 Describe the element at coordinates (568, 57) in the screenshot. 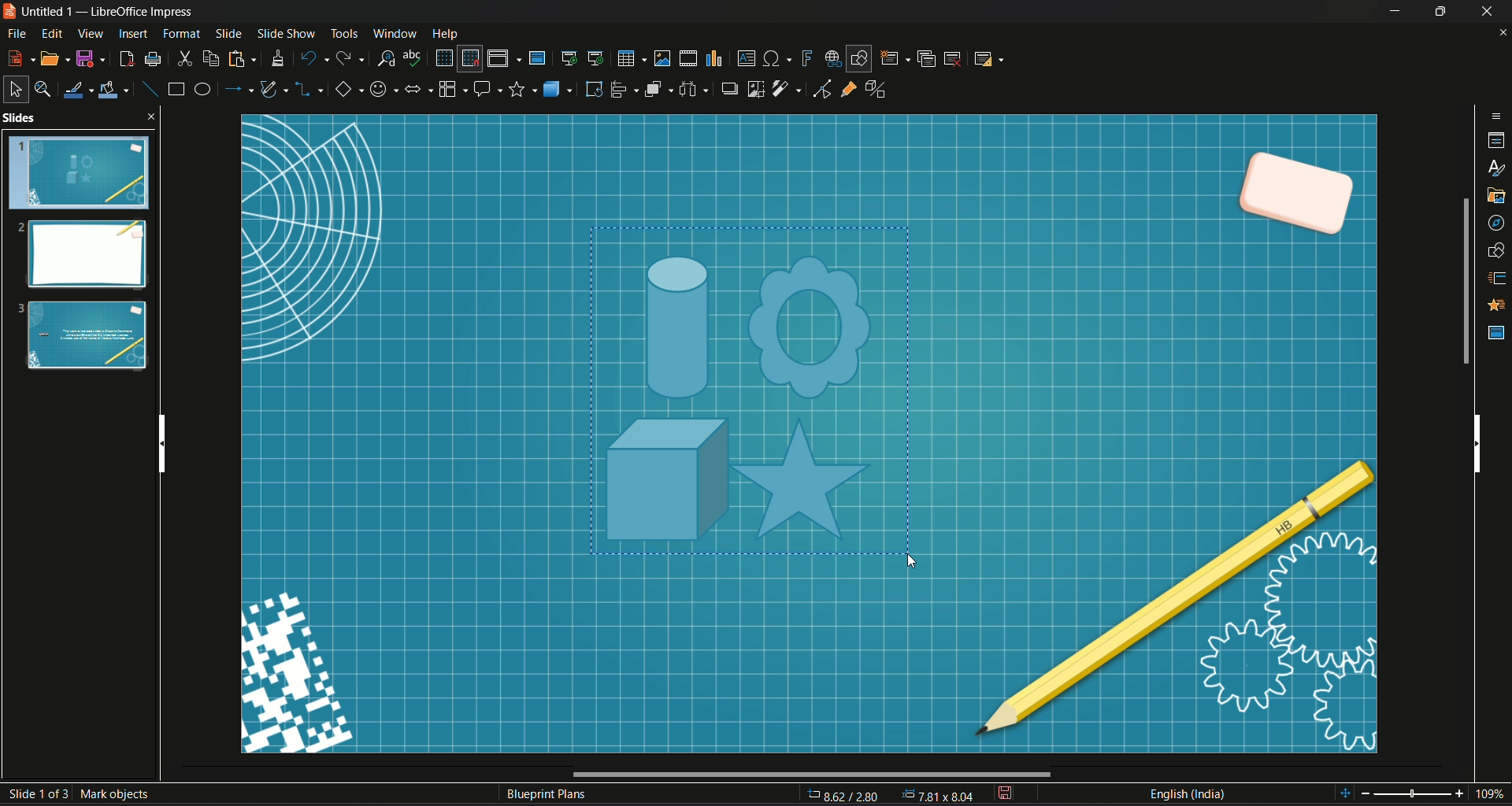

I see `start from first slide` at that location.